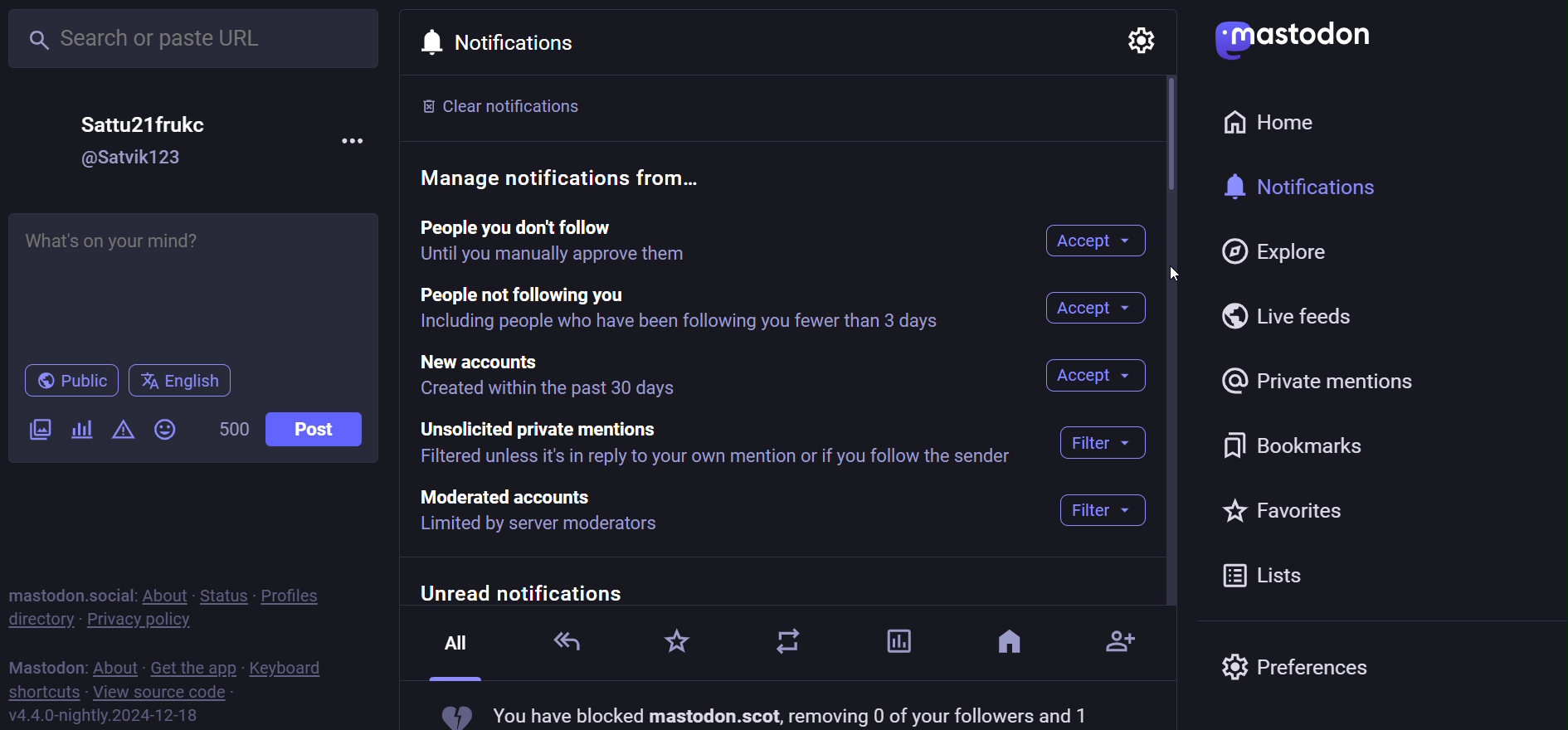 The image size is (1568, 730). Describe the element at coordinates (579, 241) in the screenshot. I see `People you don't follow
Until you manually approve them` at that location.